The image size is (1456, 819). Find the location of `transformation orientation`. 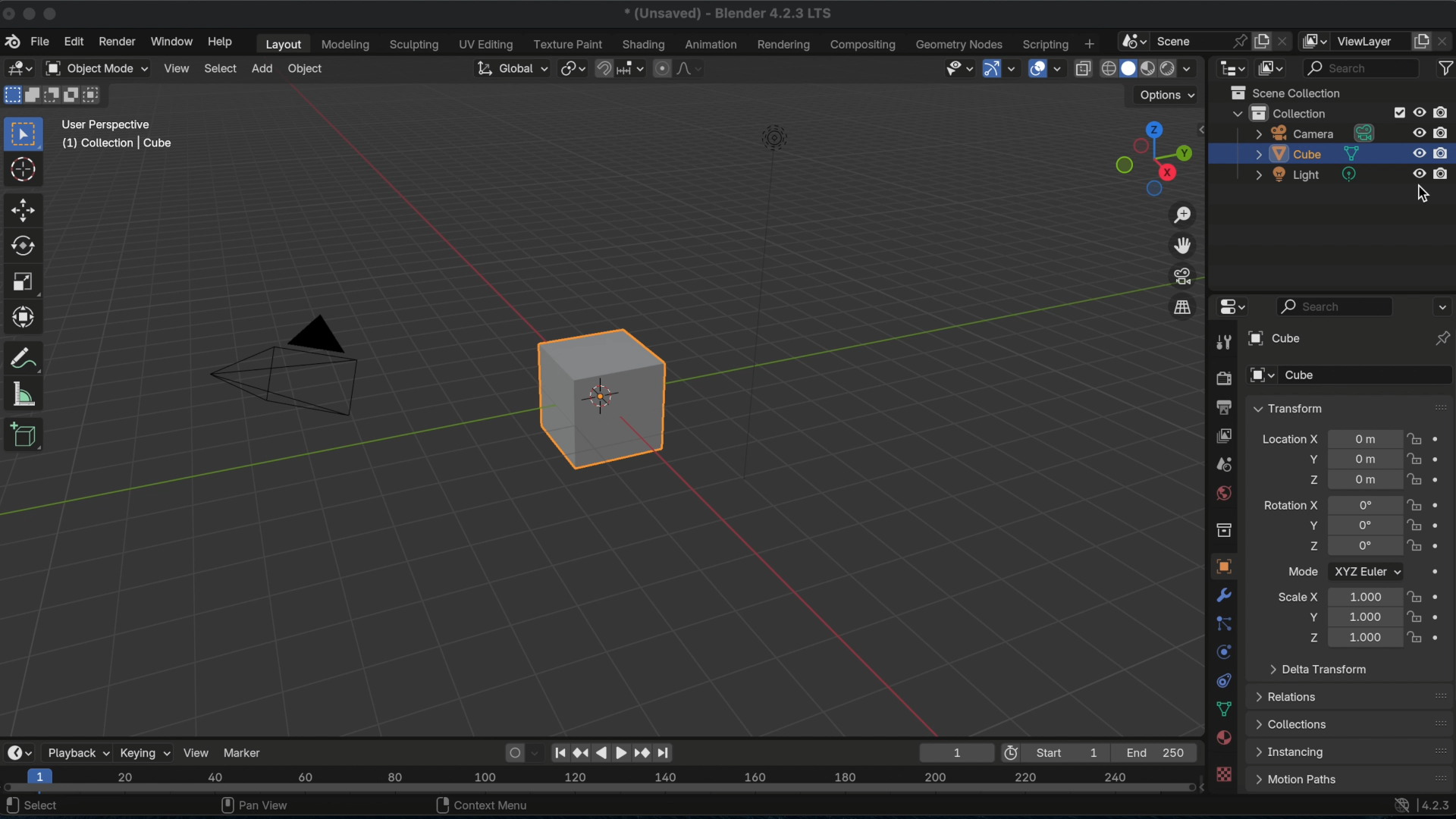

transformation orientation is located at coordinates (508, 67).